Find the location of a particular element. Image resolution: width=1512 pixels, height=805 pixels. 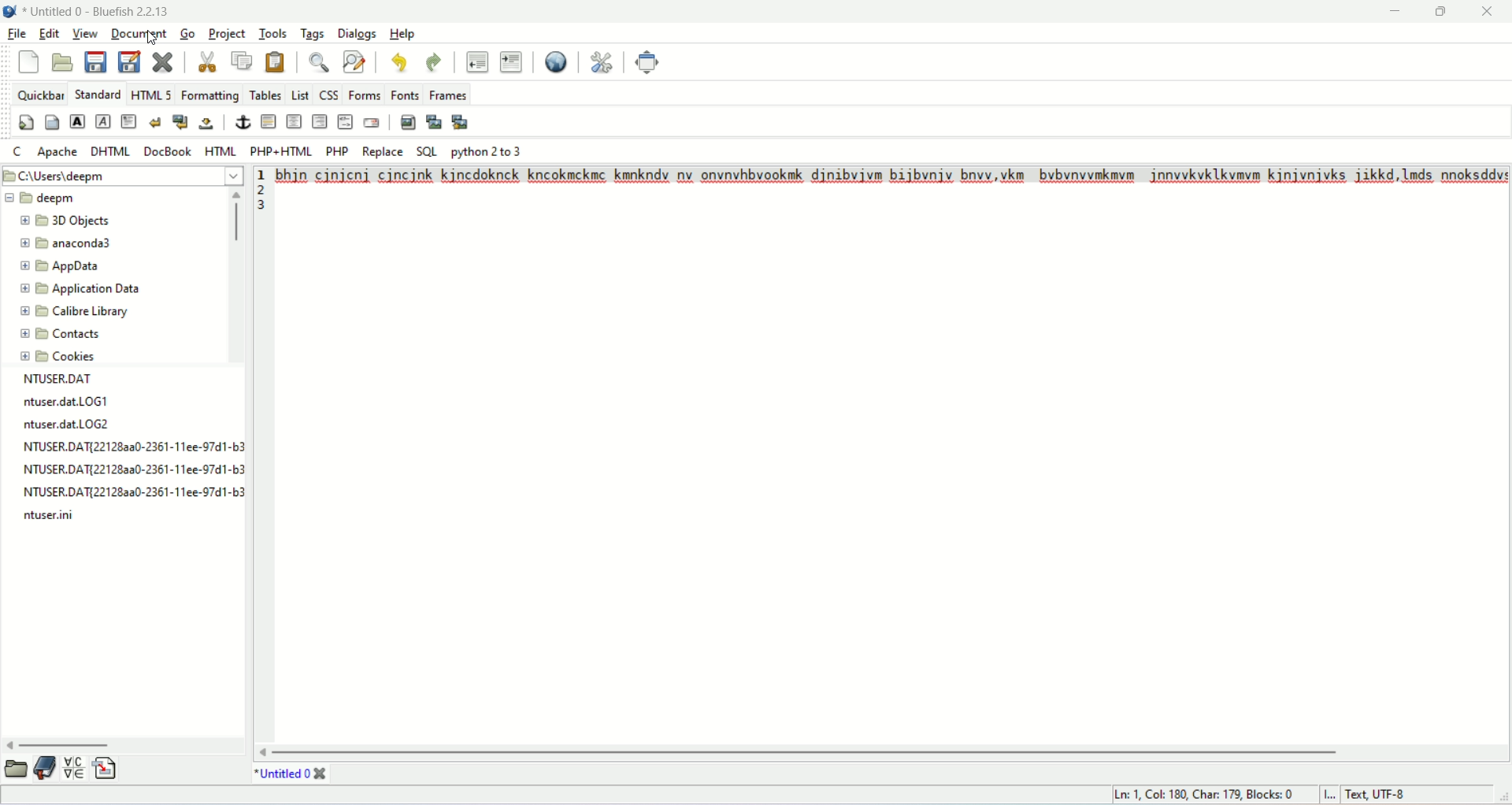

edit is located at coordinates (48, 34).